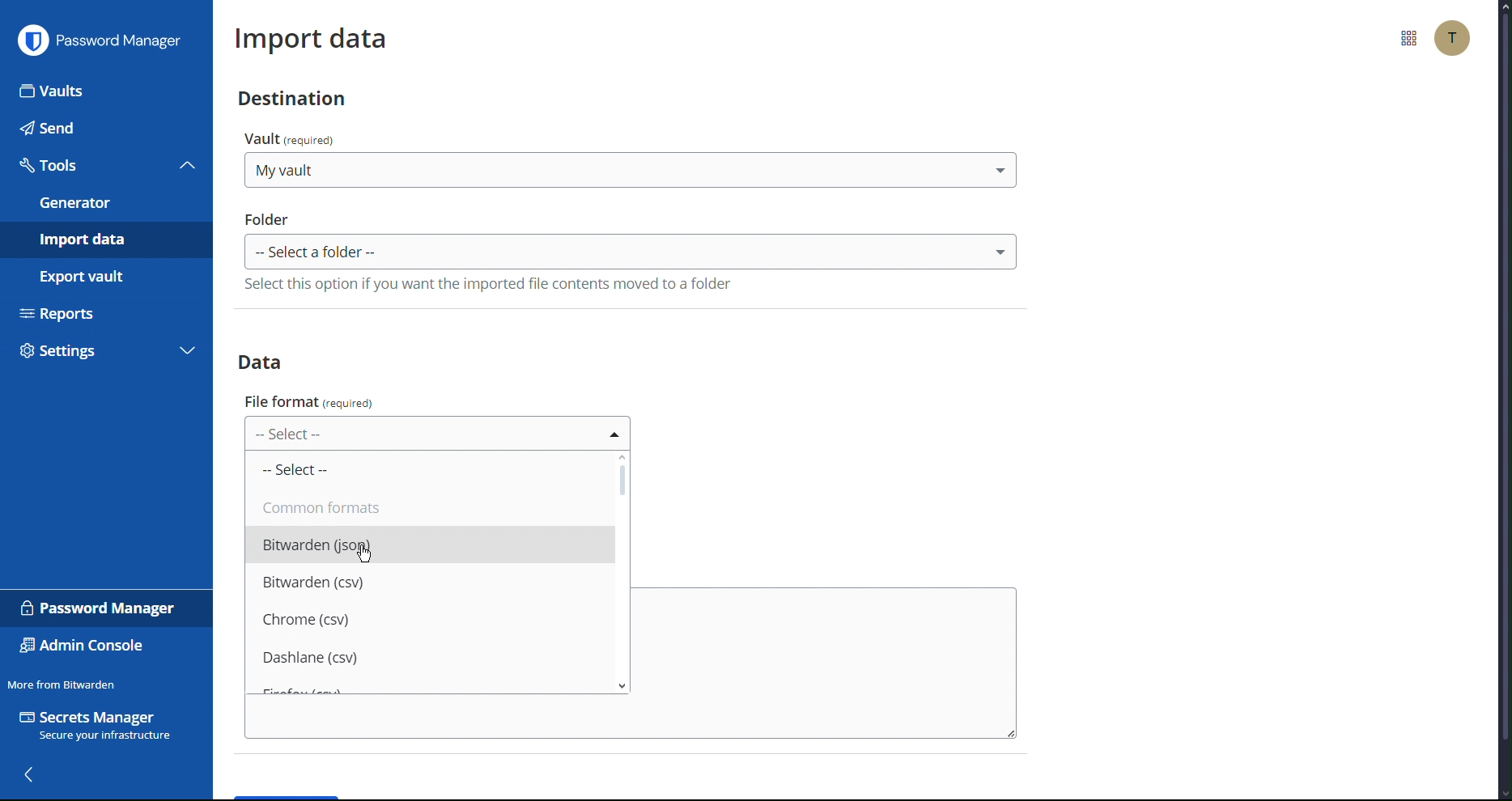 The width and height of the screenshot is (1512, 801). Describe the element at coordinates (100, 39) in the screenshot. I see `Password Manager` at that location.